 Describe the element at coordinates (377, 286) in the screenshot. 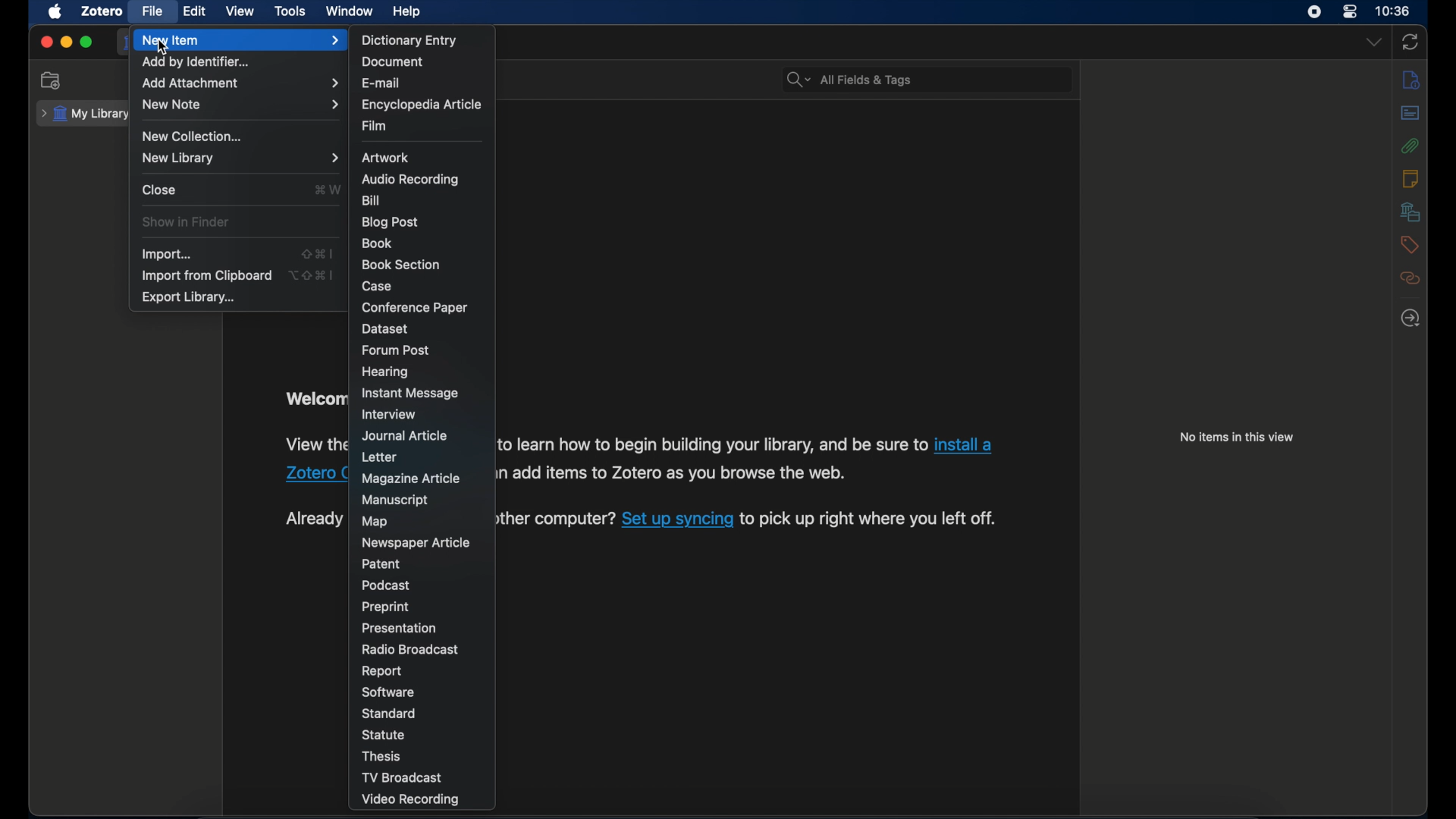

I see `case` at that location.